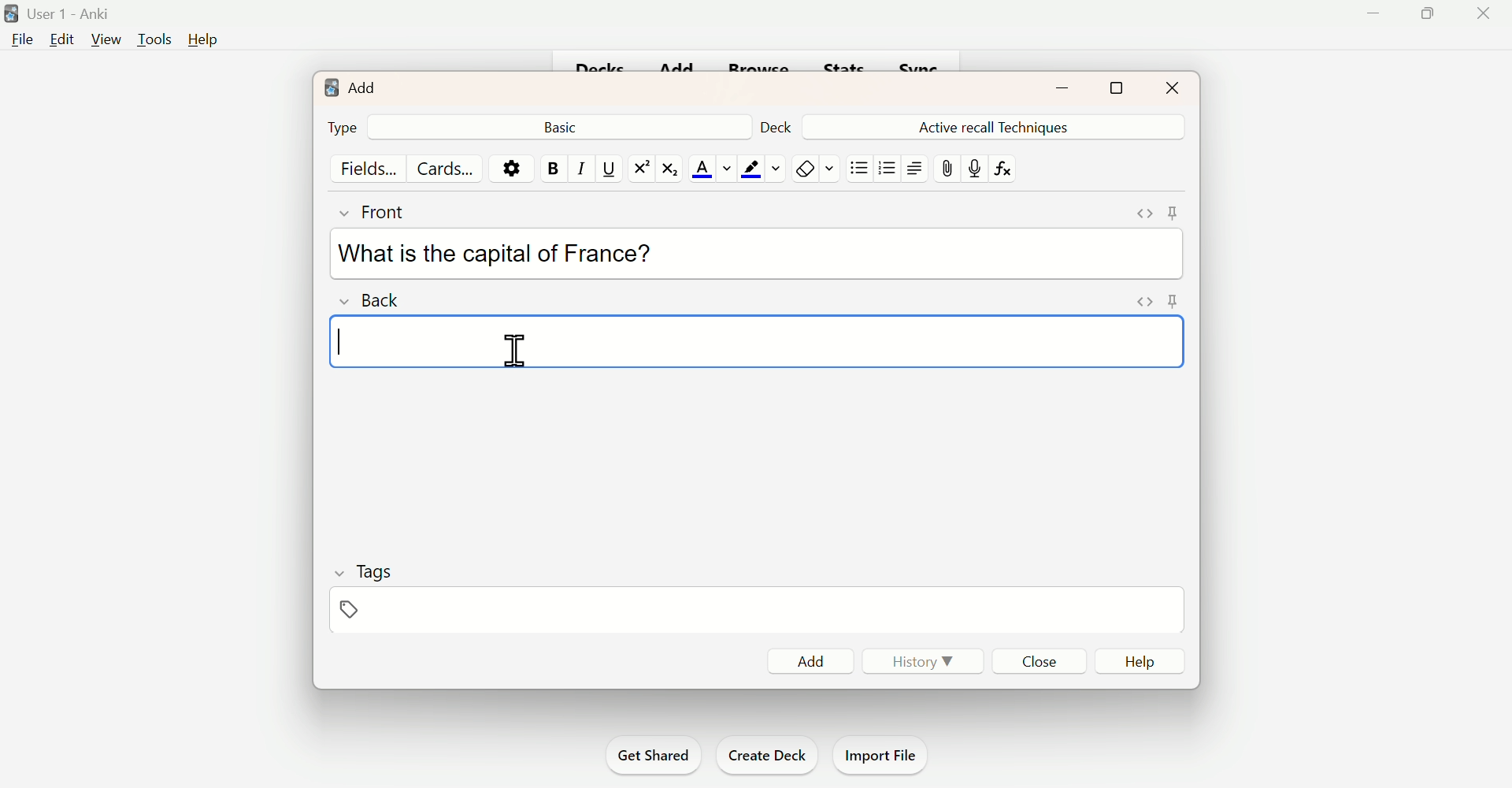 This screenshot has height=788, width=1512. I want to click on Subscript, so click(669, 169).